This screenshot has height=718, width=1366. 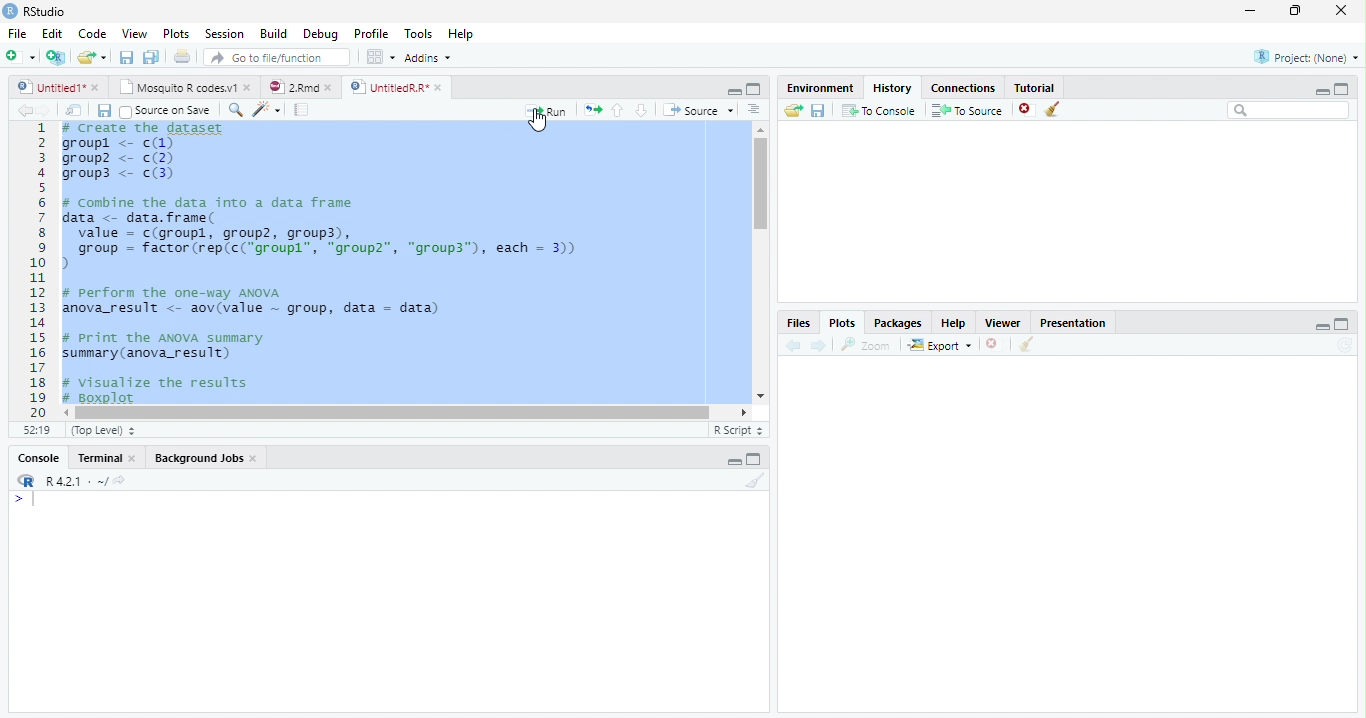 I want to click on Session, so click(x=225, y=34).